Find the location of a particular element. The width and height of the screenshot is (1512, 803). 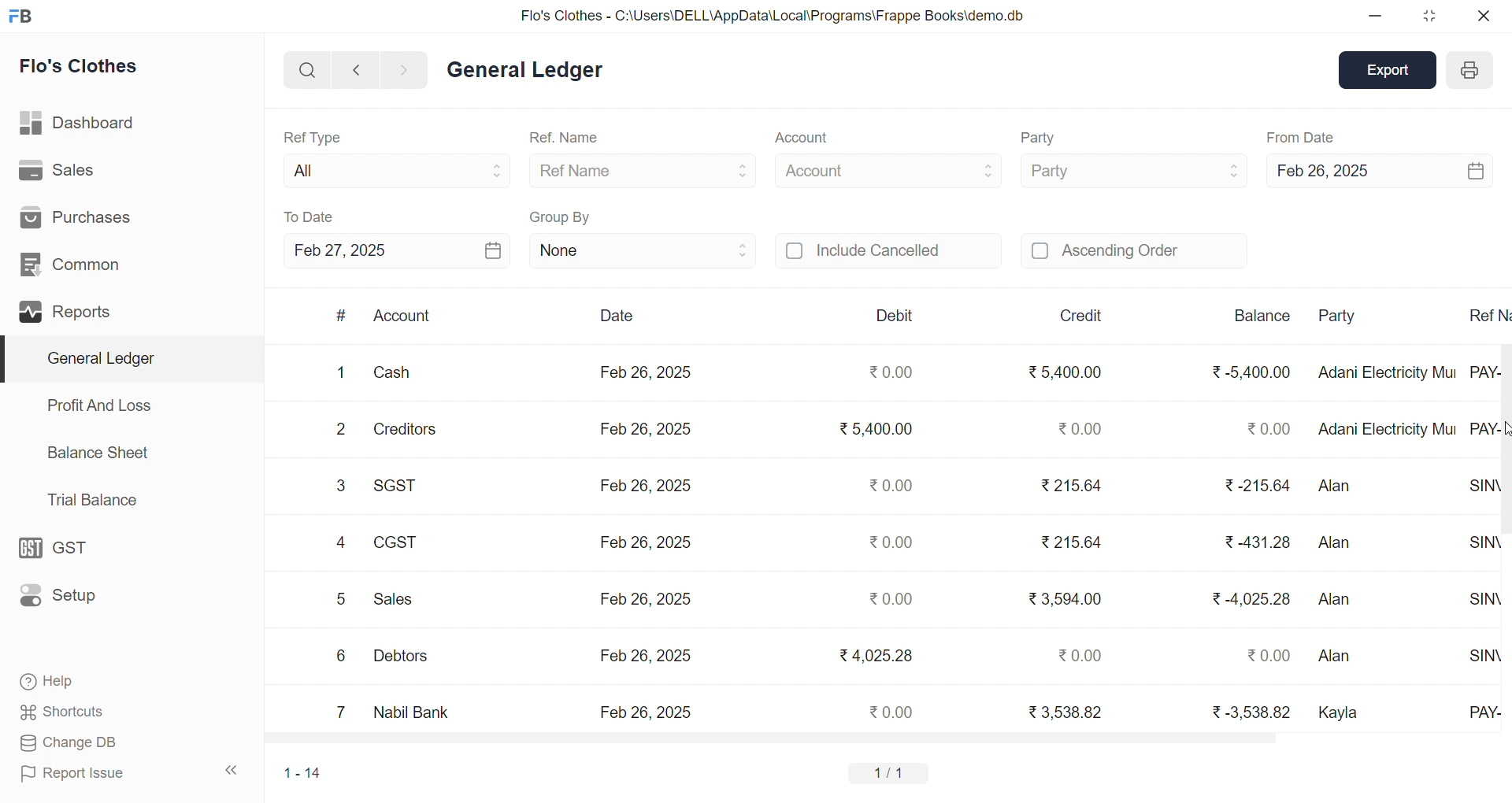

Feb 26, 2025 is located at coordinates (649, 430).